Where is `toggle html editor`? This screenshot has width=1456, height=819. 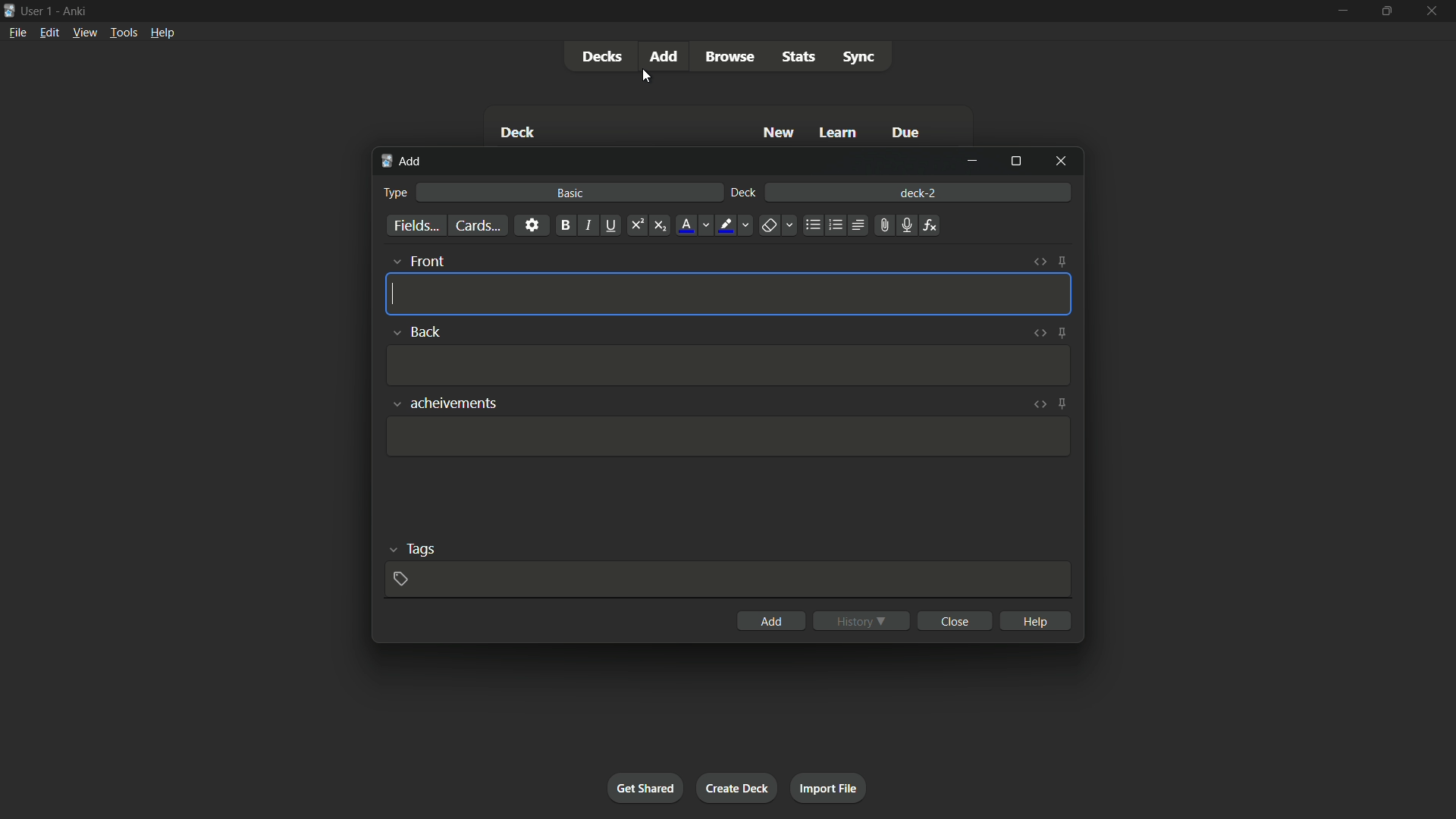 toggle html editor is located at coordinates (1037, 333).